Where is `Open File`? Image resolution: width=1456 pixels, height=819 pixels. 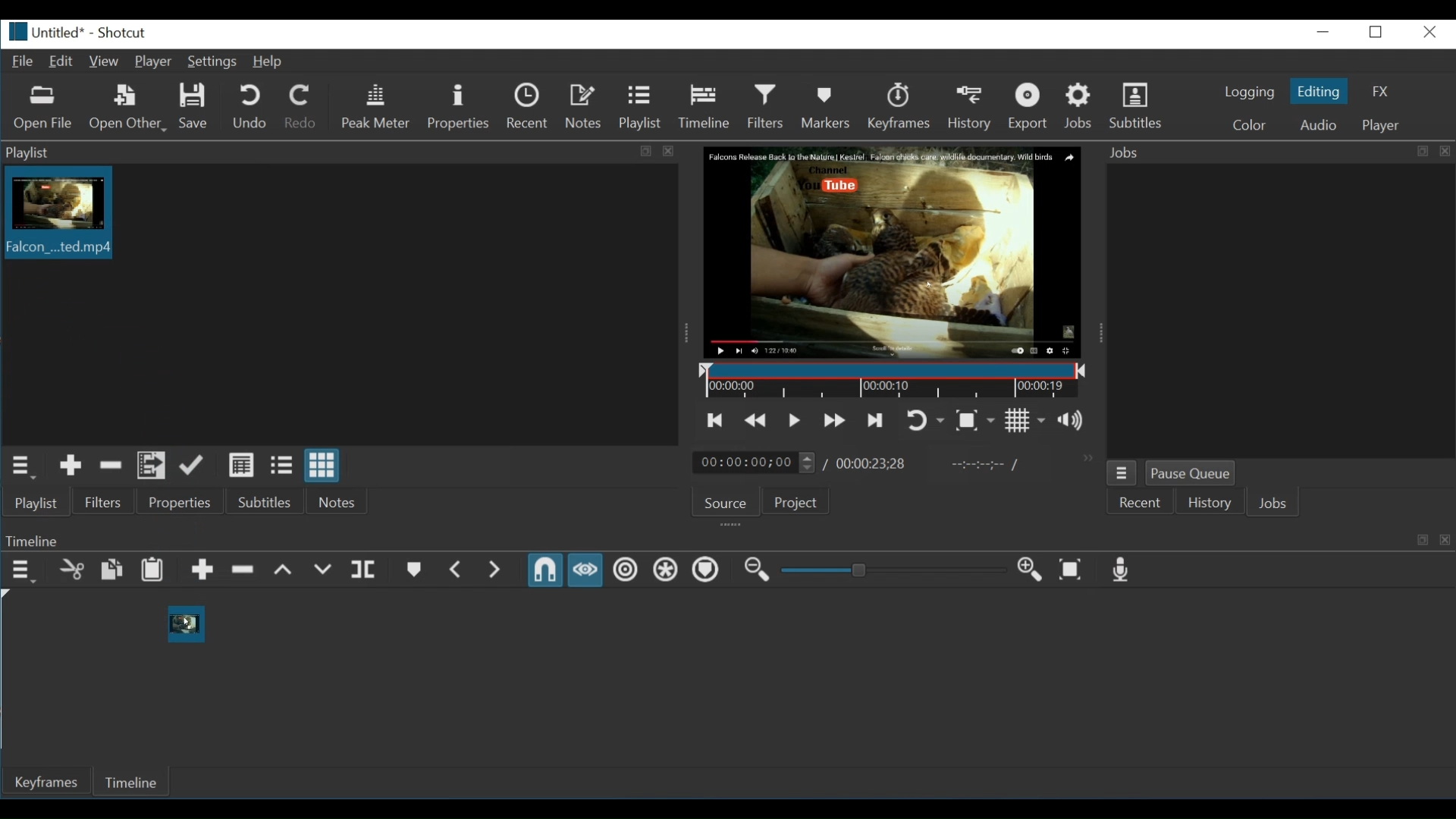 Open File is located at coordinates (43, 110).